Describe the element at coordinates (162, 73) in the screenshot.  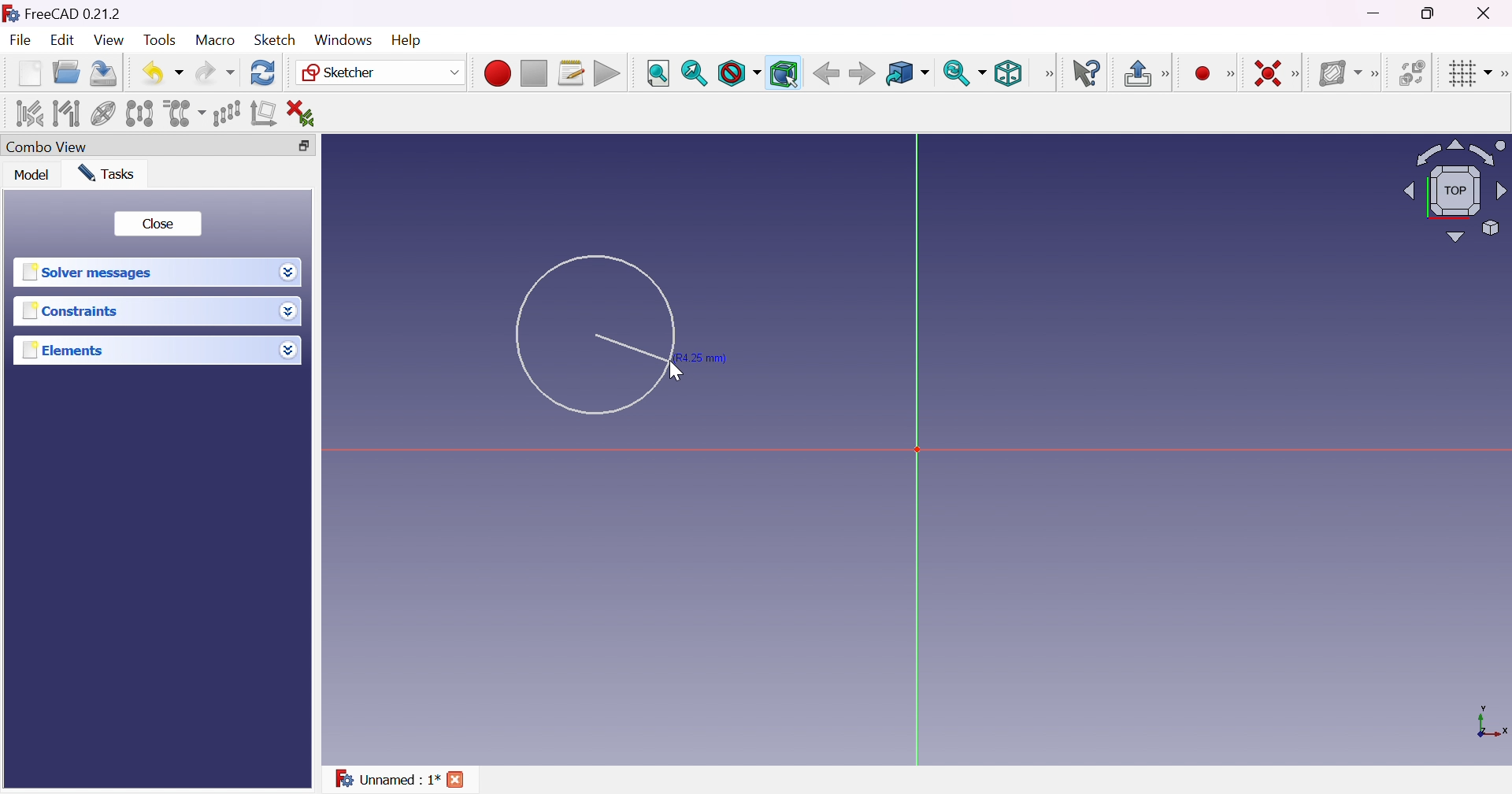
I see `Undo` at that location.